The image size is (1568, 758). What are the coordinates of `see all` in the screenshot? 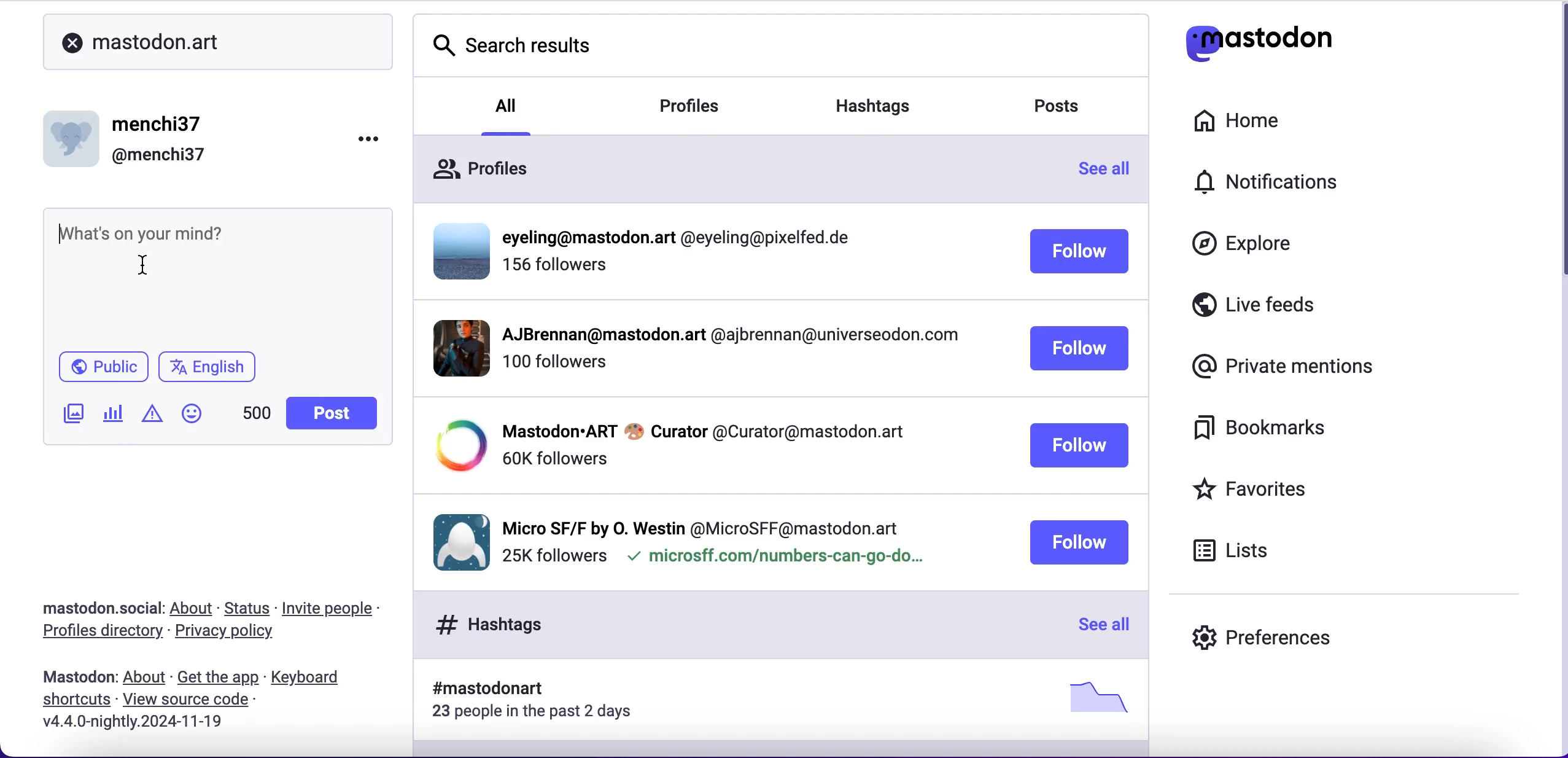 It's located at (1101, 626).